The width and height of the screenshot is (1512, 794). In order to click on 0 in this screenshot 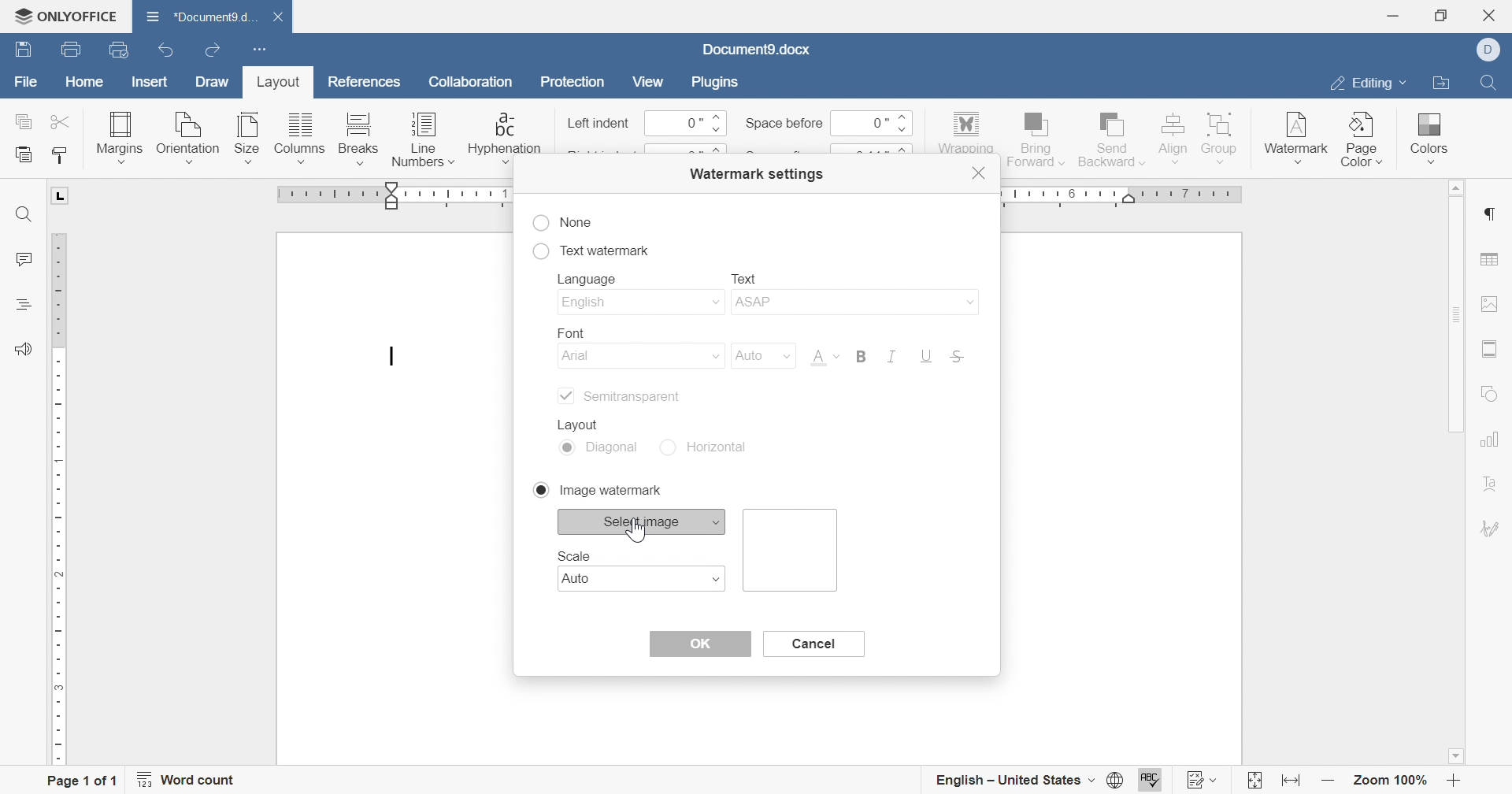, I will do `click(686, 124)`.